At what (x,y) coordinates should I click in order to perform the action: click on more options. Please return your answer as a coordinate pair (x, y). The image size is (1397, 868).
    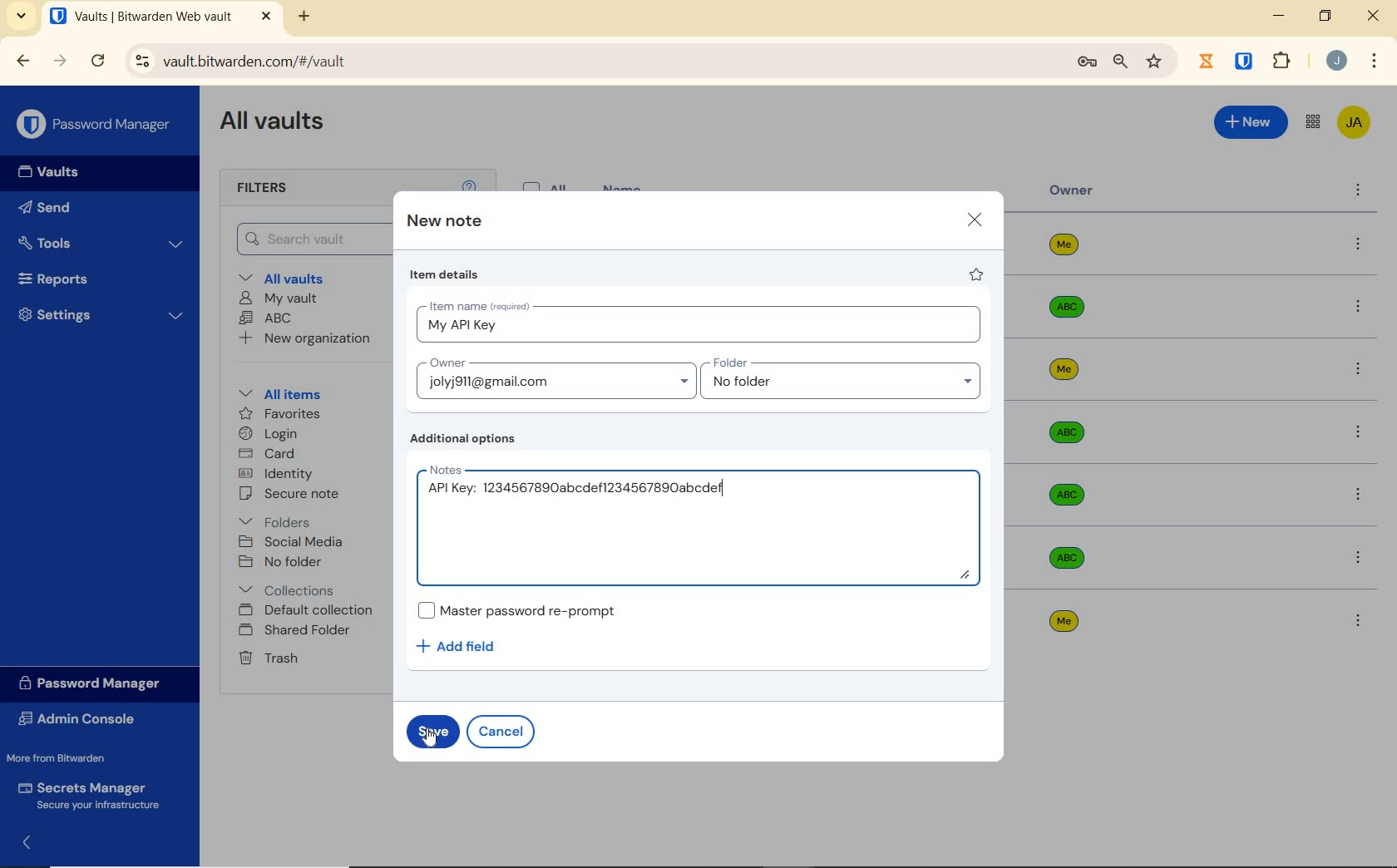
    Looking at the image, I should click on (1359, 245).